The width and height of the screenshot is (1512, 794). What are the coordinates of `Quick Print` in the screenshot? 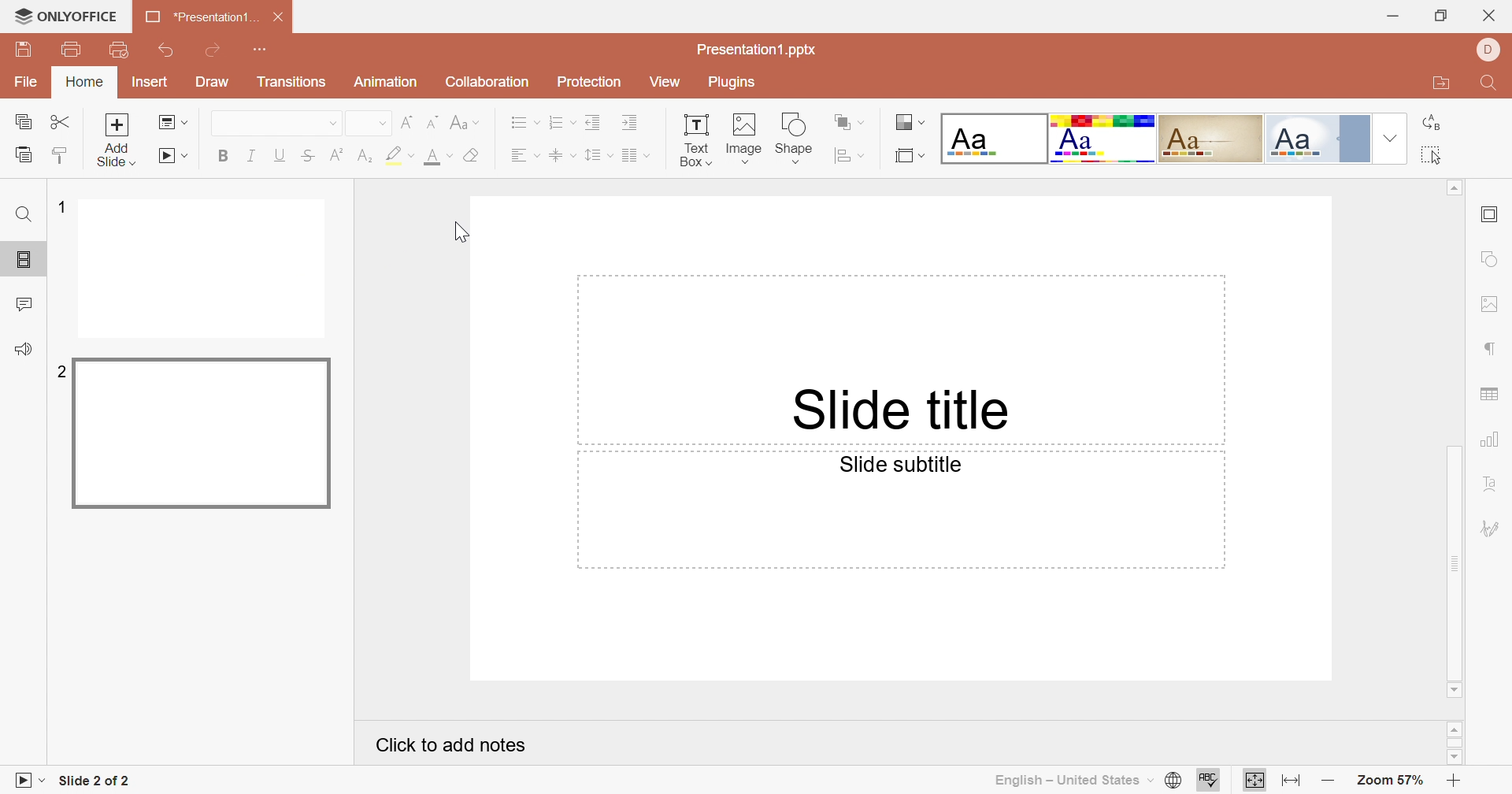 It's located at (124, 50).